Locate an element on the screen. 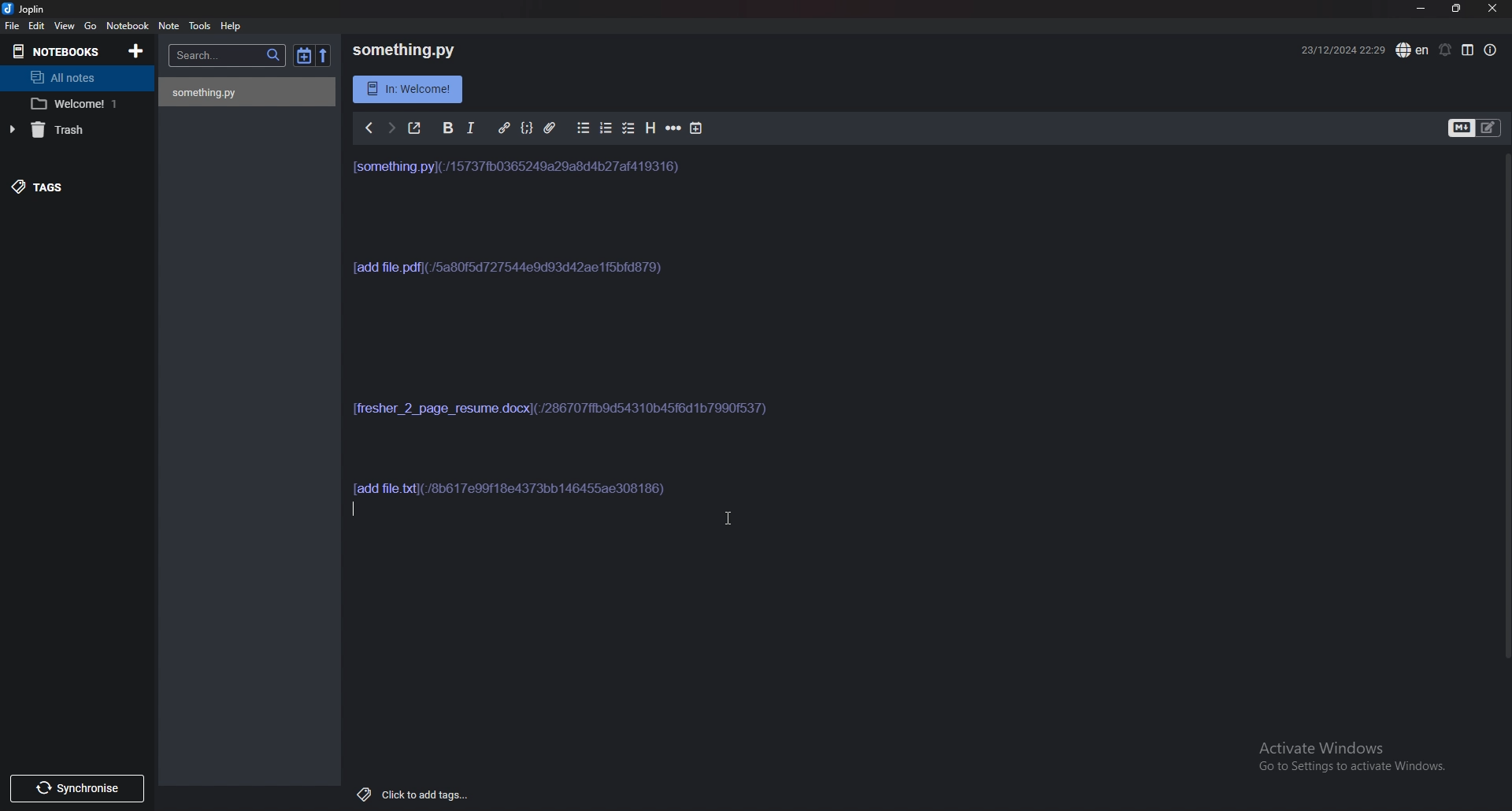 Image resolution: width=1512 pixels, height=811 pixels. heading is located at coordinates (649, 130).